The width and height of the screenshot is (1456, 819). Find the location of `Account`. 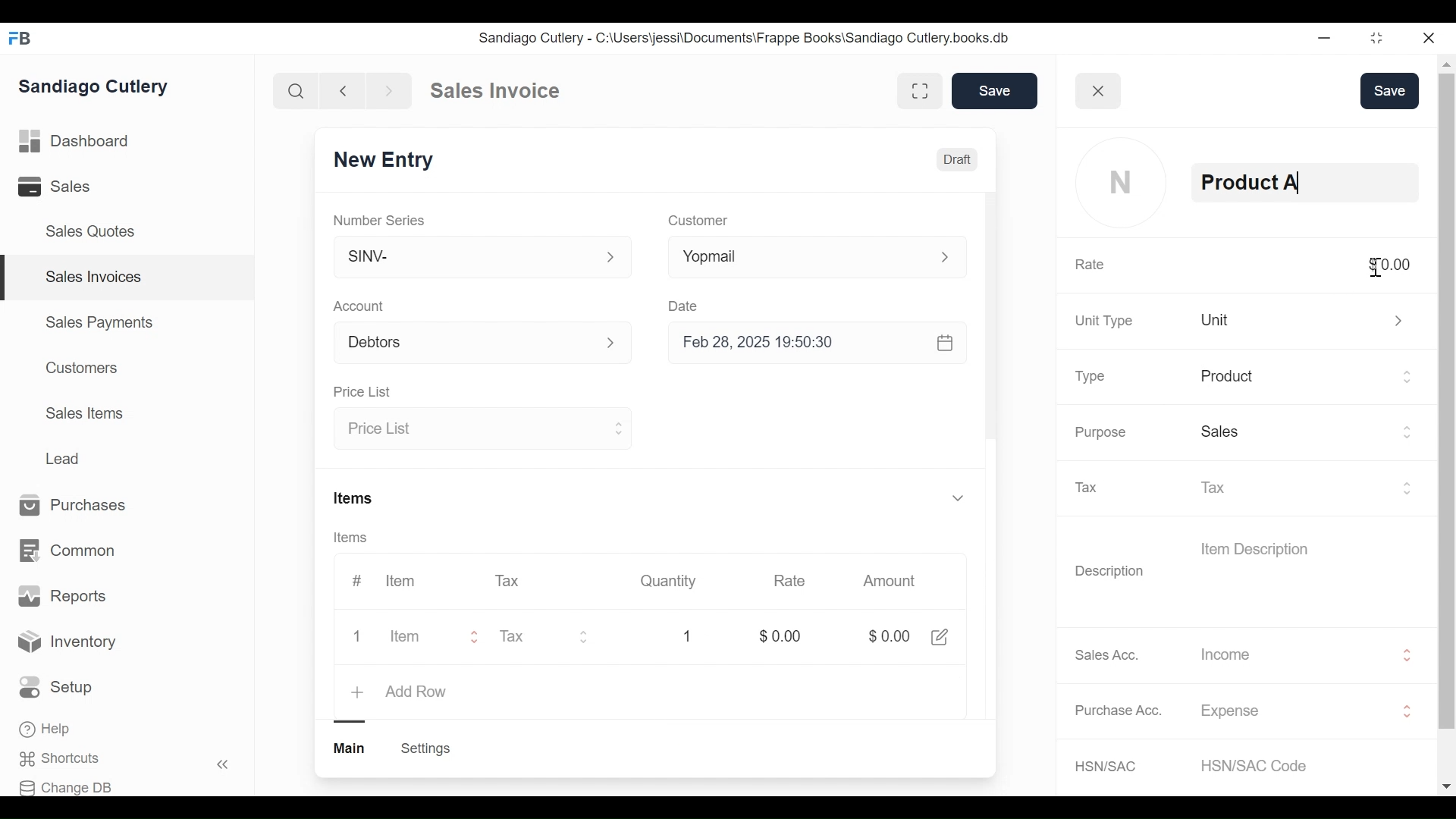

Account is located at coordinates (361, 306).